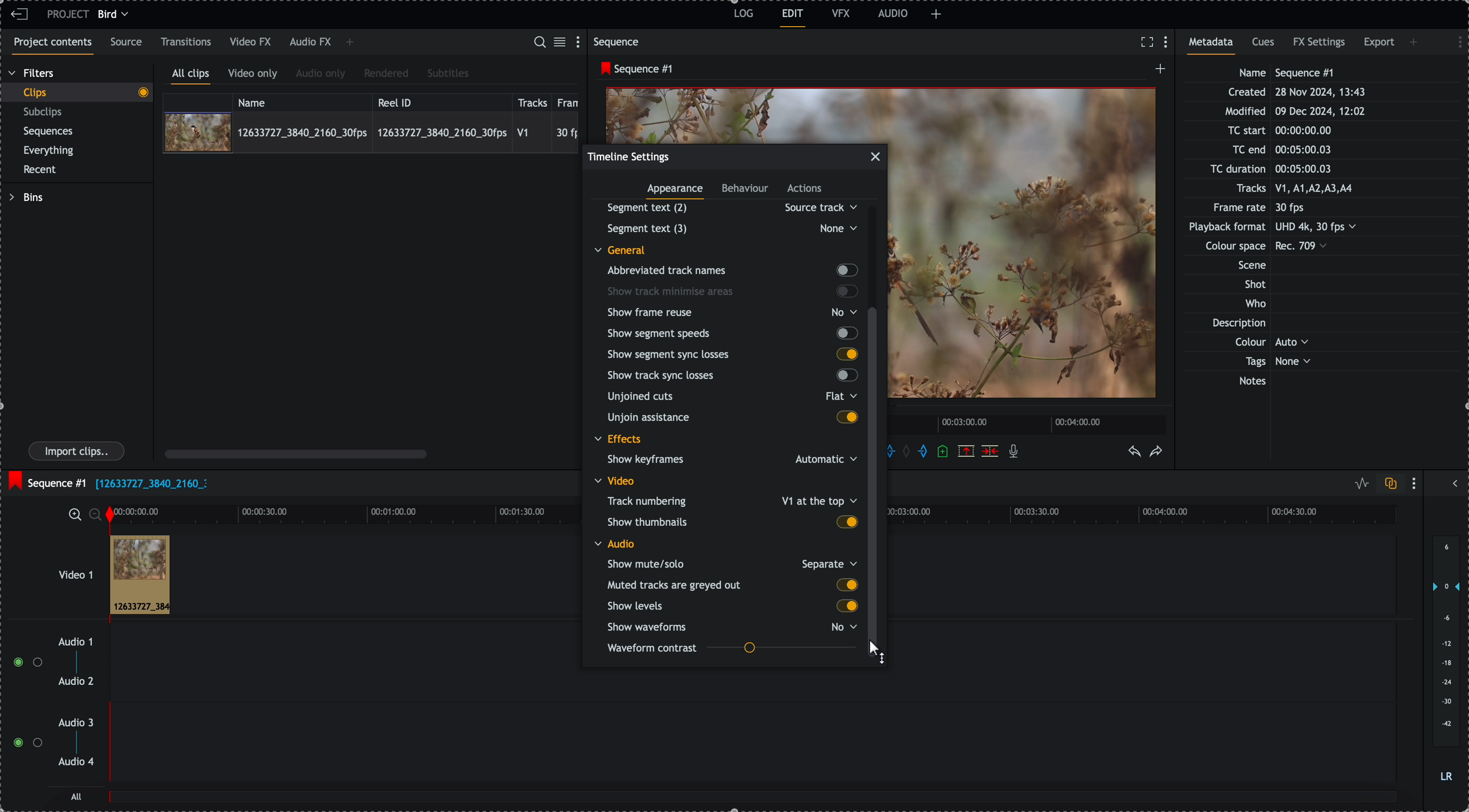 The image size is (1469, 812). I want to click on timeline, so click(1029, 423).